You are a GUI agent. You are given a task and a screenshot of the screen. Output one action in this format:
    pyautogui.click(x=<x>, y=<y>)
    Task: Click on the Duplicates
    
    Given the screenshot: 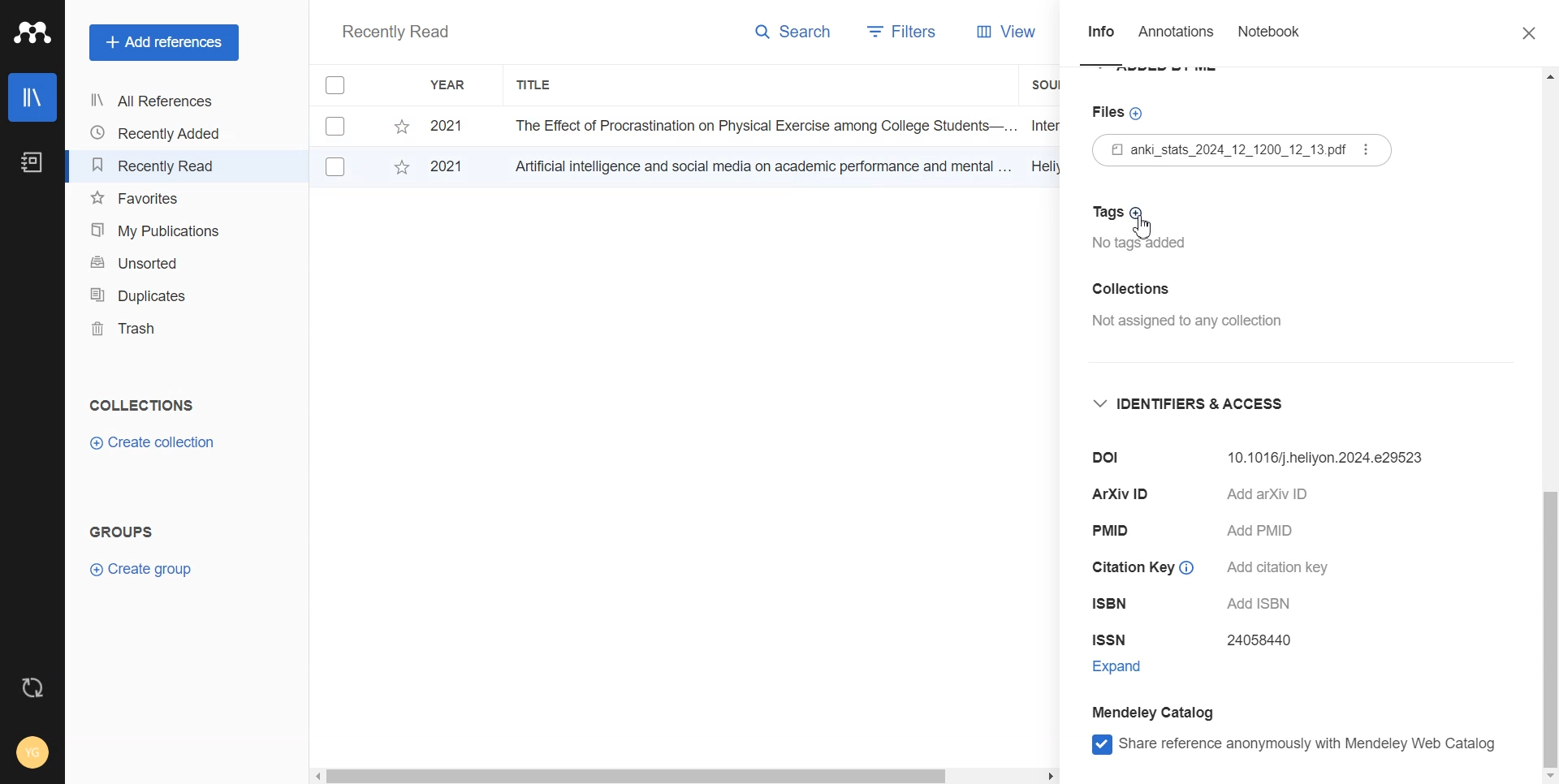 What is the action you would take?
    pyautogui.click(x=159, y=295)
    